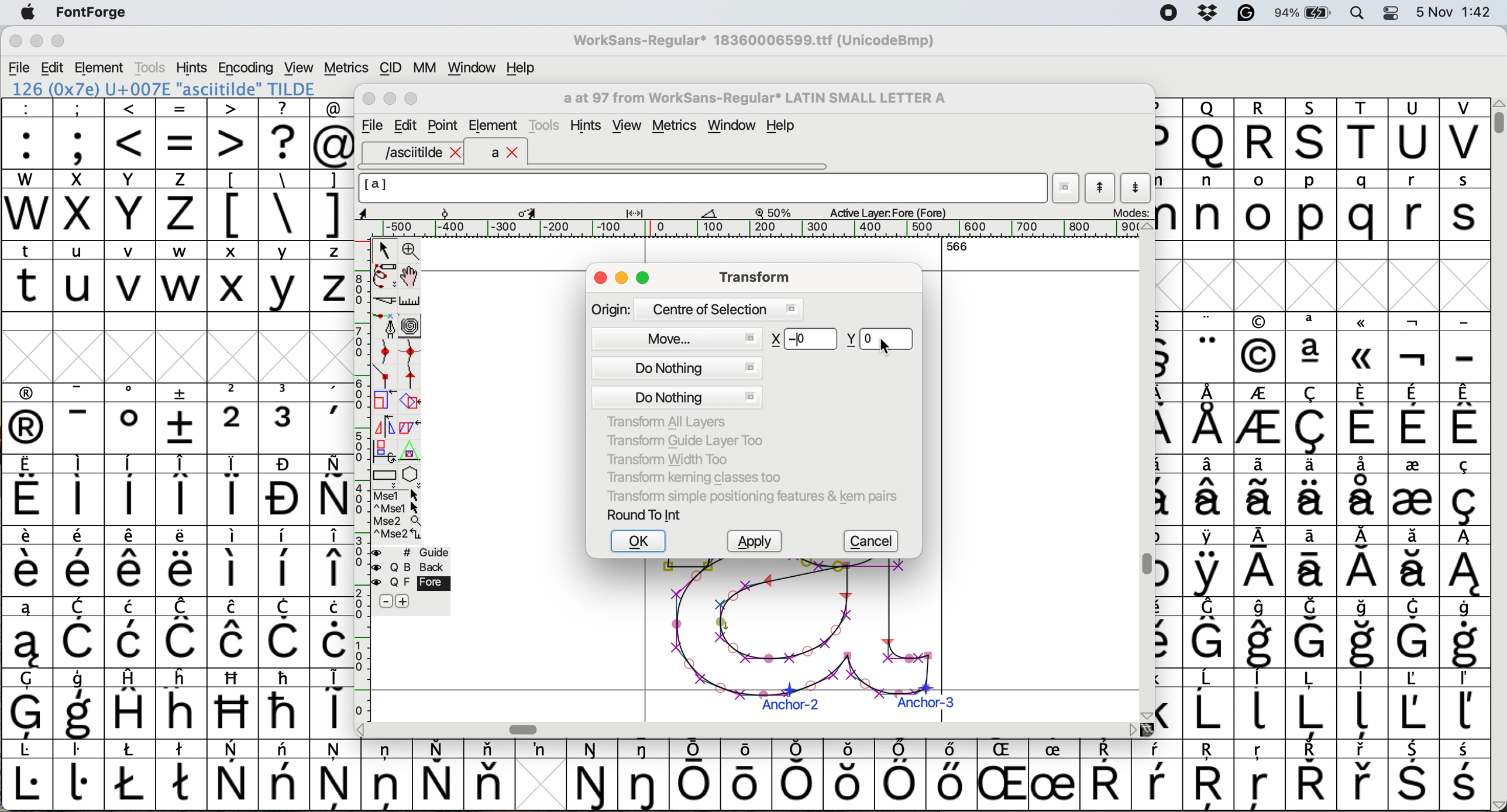 The width and height of the screenshot is (1507, 812). I want to click on view, so click(297, 66).